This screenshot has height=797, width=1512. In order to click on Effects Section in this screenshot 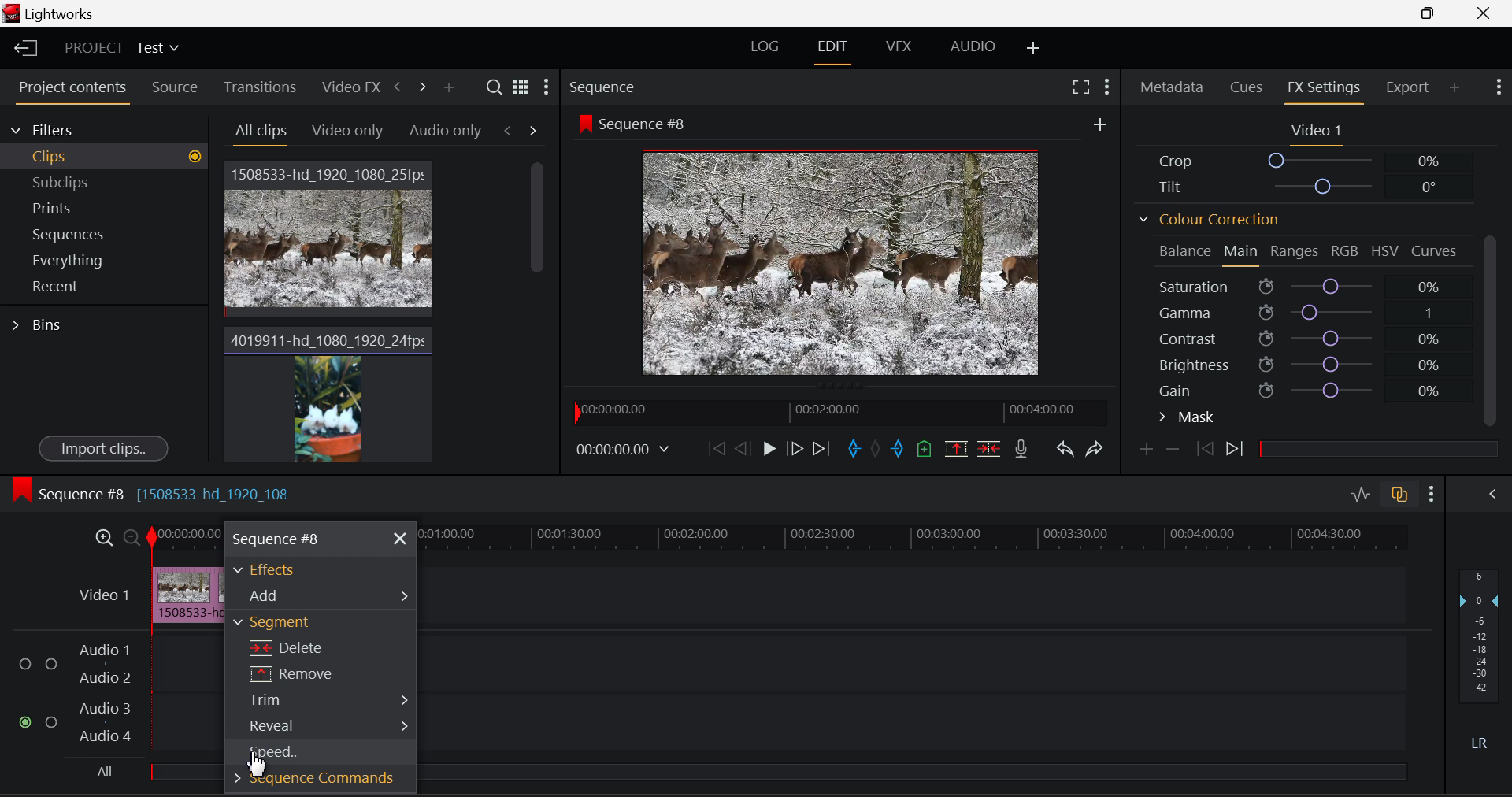, I will do `click(268, 569)`.